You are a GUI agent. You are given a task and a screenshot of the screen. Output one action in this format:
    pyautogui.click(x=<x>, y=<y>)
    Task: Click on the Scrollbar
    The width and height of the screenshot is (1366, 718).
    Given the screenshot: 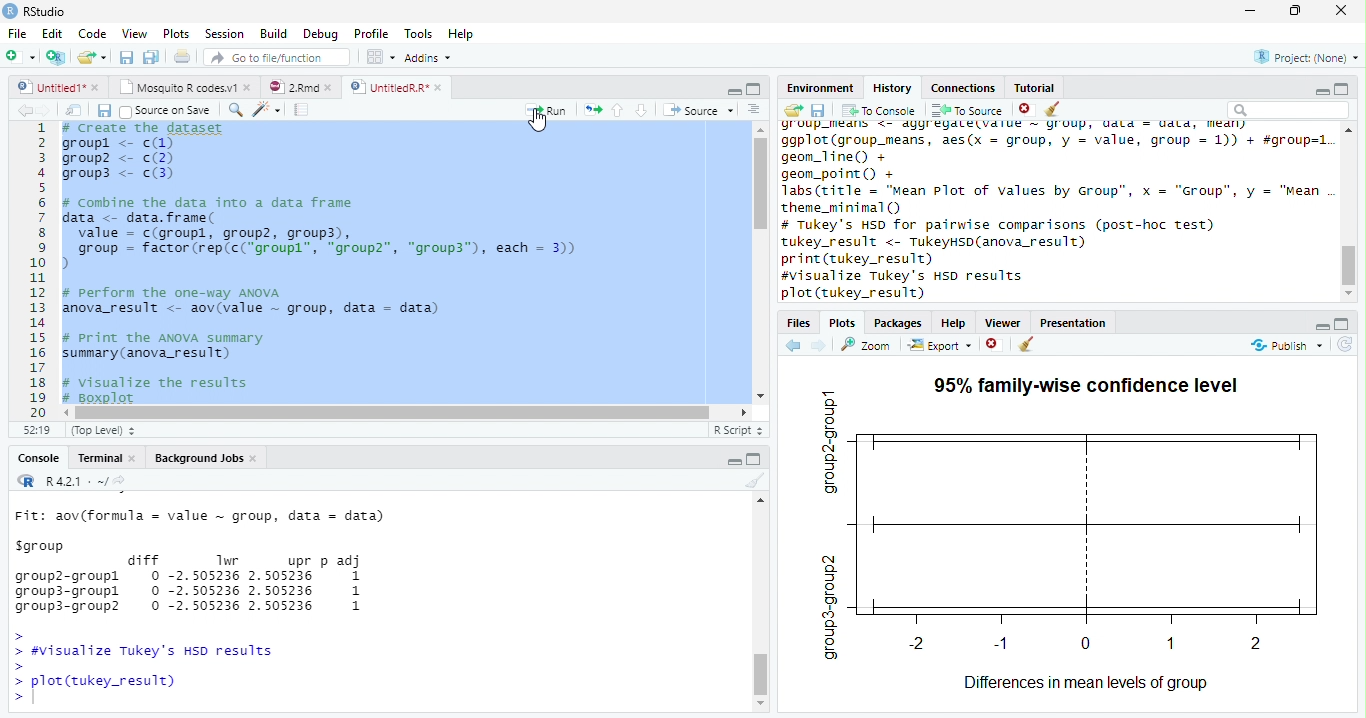 What is the action you would take?
    pyautogui.click(x=408, y=411)
    